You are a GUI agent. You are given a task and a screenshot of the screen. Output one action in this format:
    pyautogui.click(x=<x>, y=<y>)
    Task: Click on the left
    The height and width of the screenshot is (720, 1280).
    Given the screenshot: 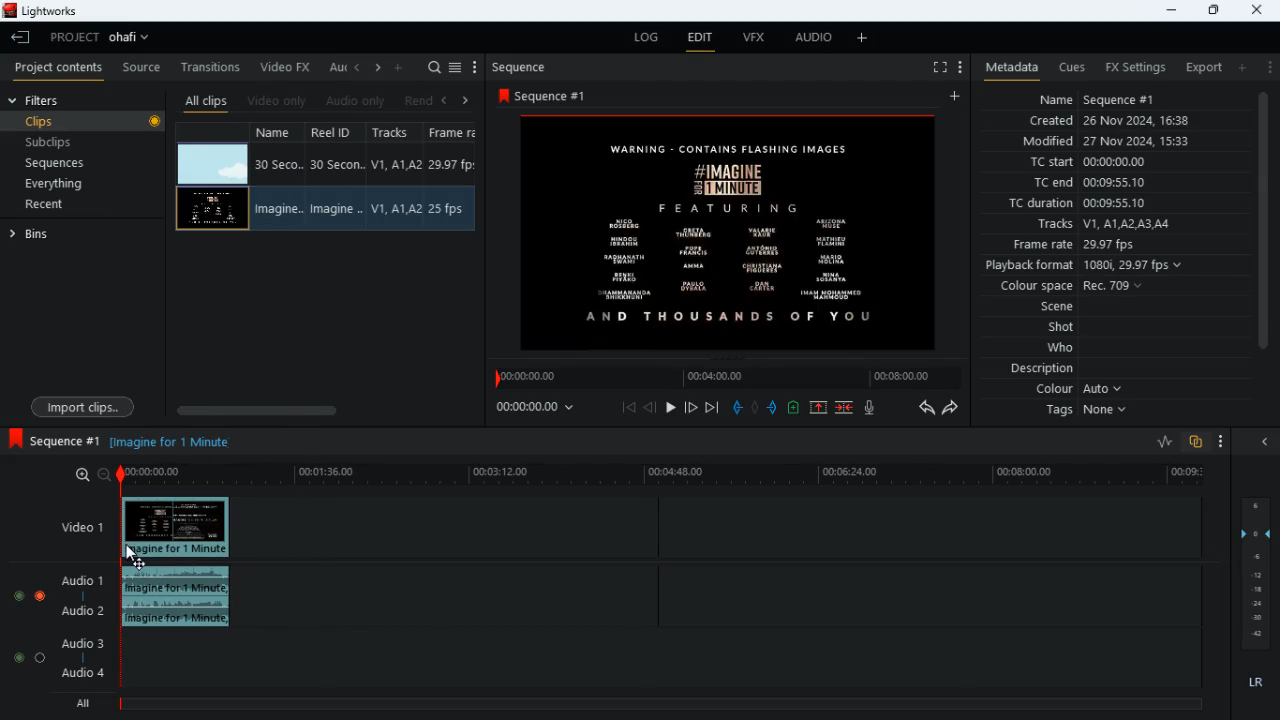 What is the action you would take?
    pyautogui.click(x=450, y=99)
    